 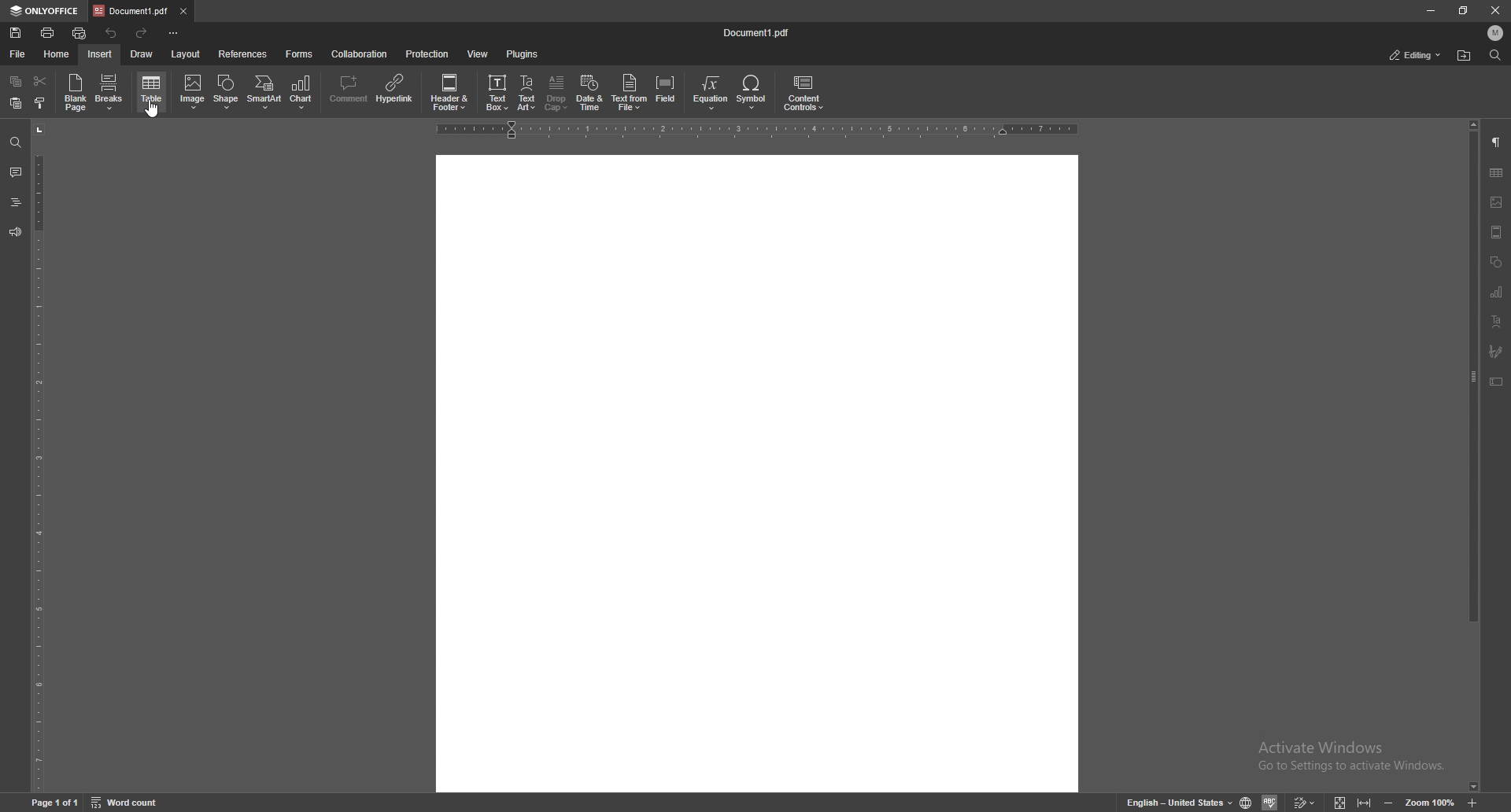 What do you see at coordinates (758, 32) in the screenshot?
I see `file name` at bounding box center [758, 32].